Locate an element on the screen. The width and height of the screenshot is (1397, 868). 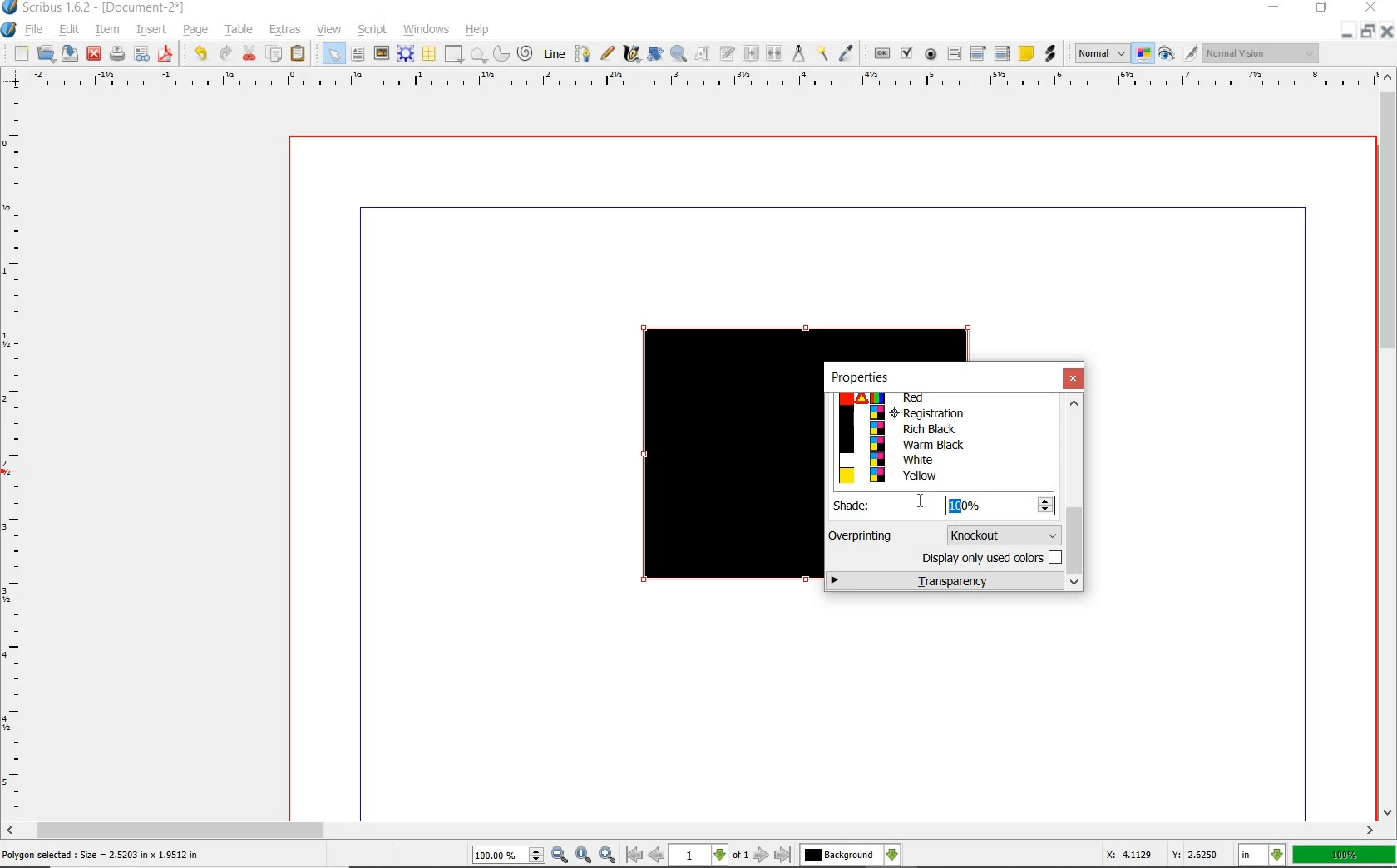
bezier curve is located at coordinates (583, 53).